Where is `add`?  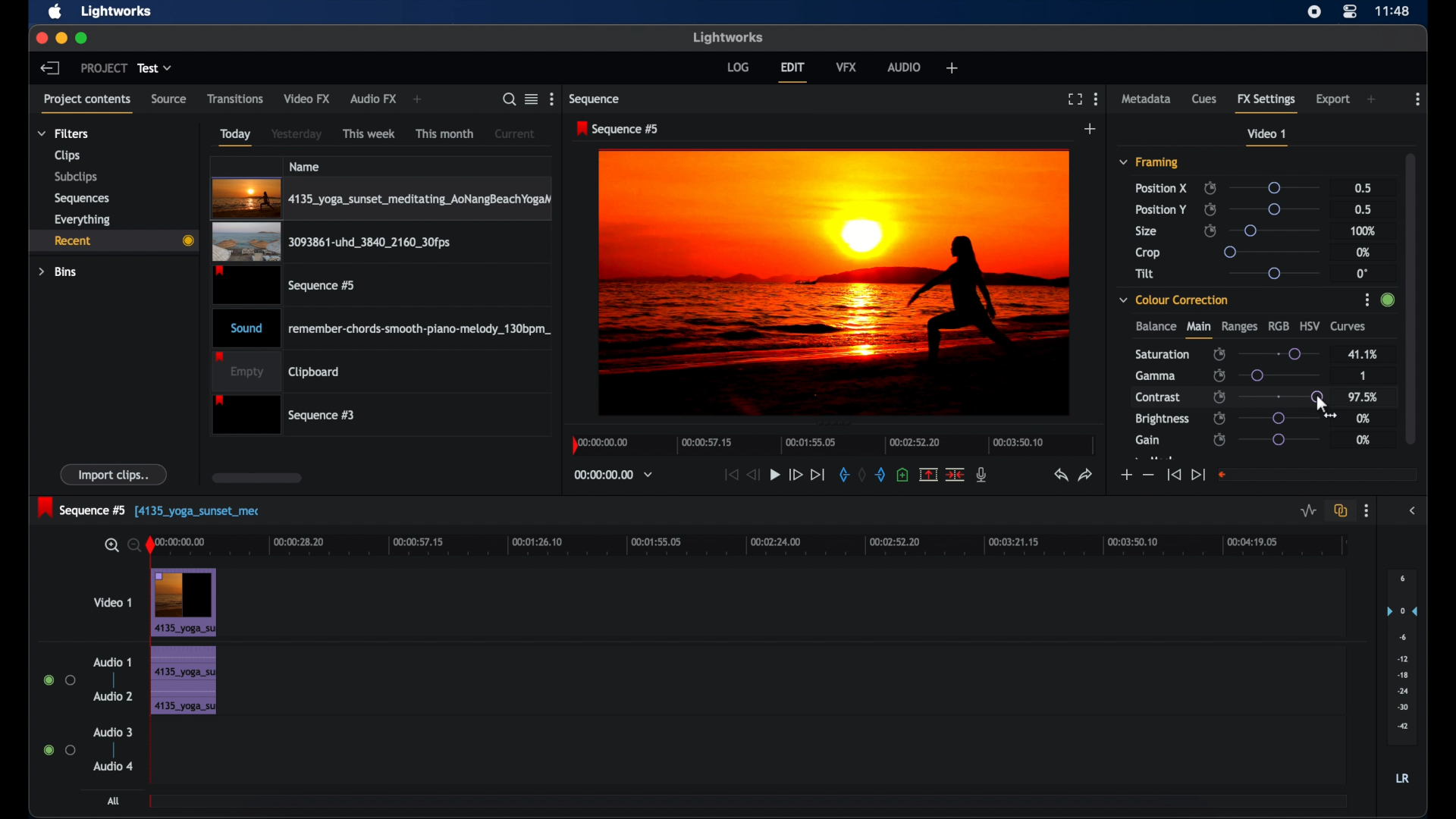
add is located at coordinates (419, 100).